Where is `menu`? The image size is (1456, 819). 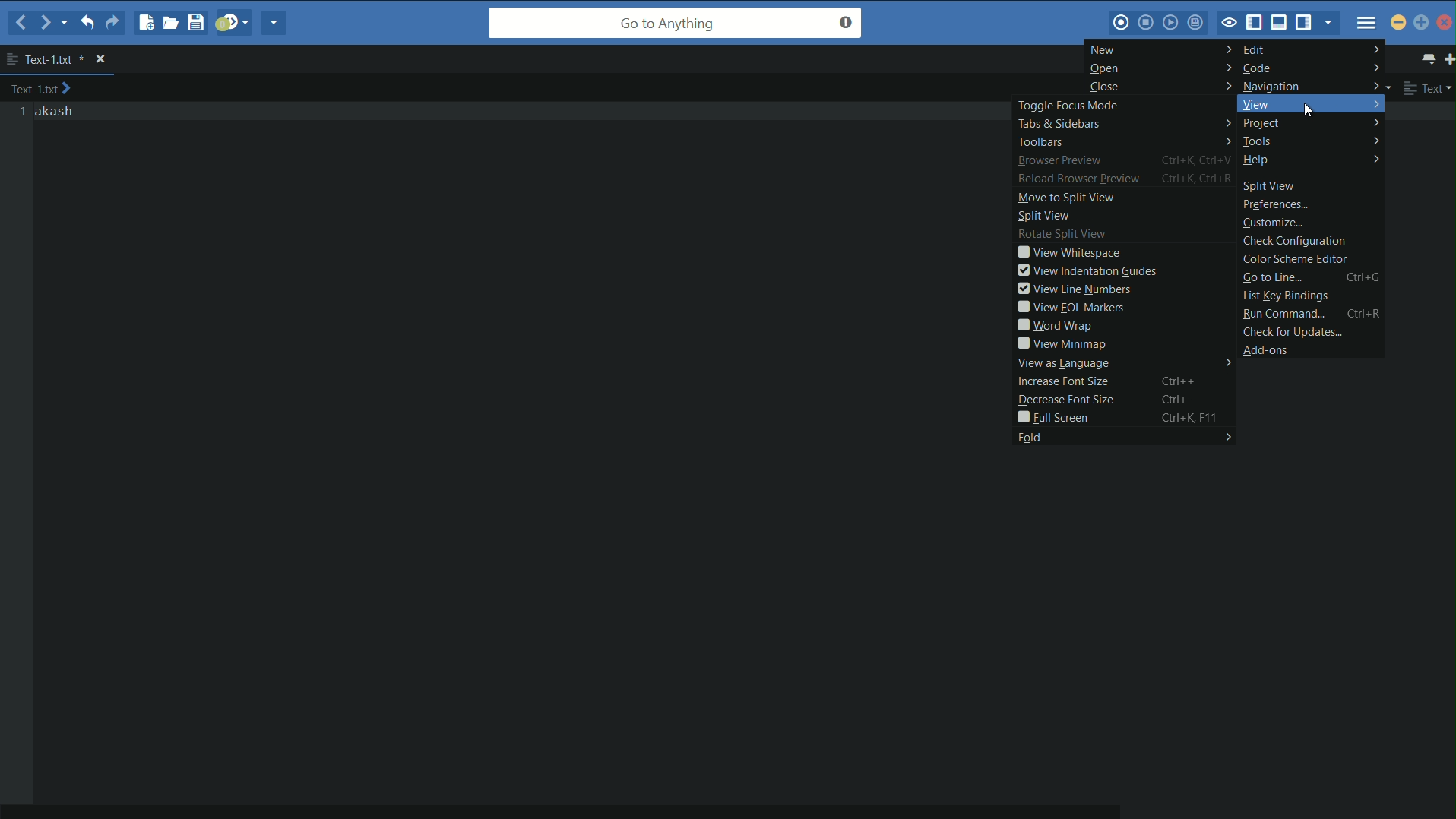
menu is located at coordinates (1366, 23).